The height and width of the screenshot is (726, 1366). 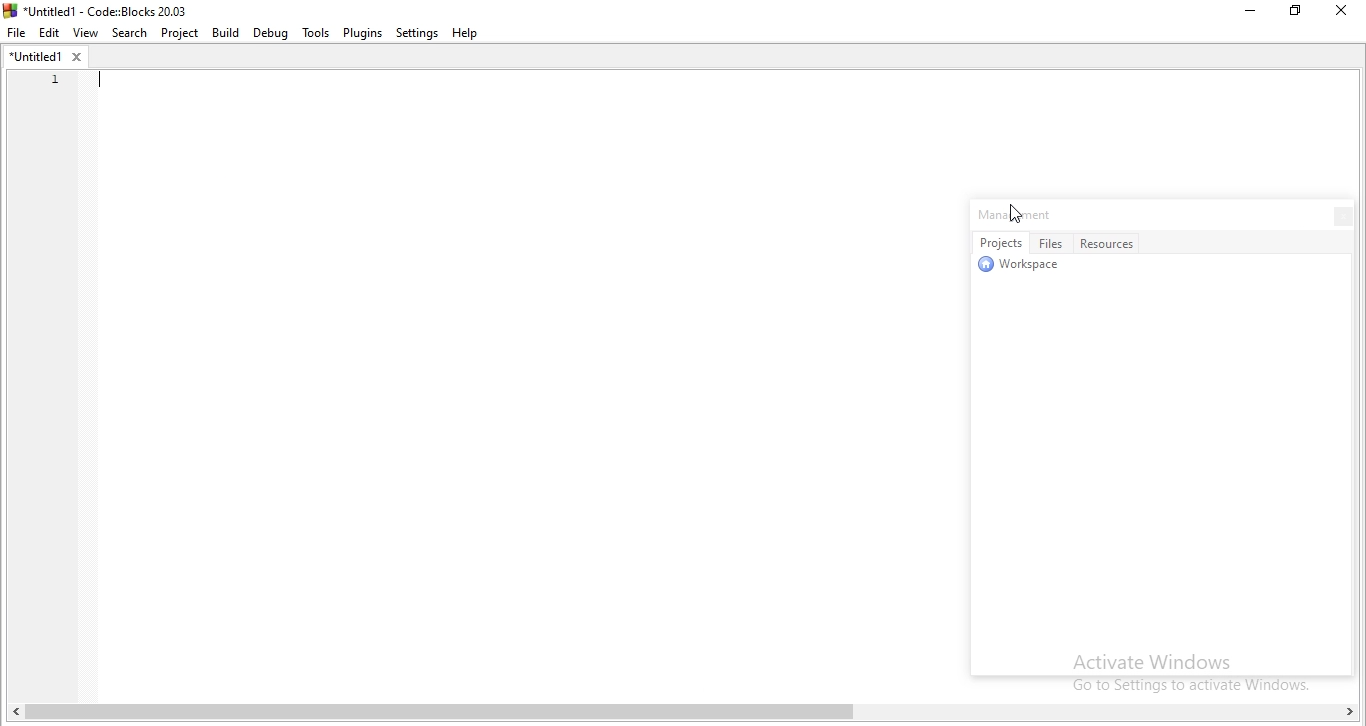 I want to click on Search , so click(x=130, y=33).